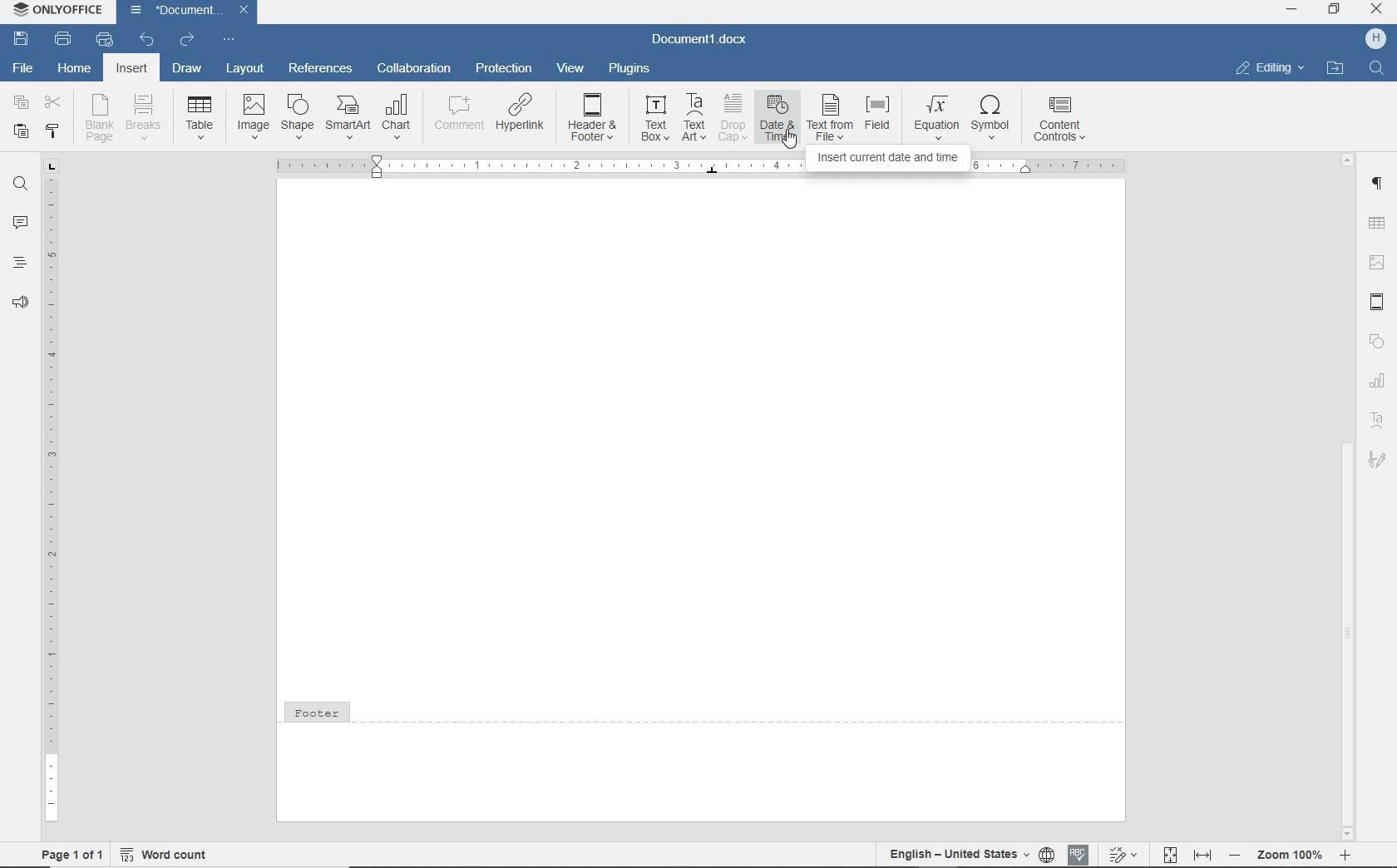 The image size is (1397, 868). What do you see at coordinates (1379, 342) in the screenshot?
I see `shapes` at bounding box center [1379, 342].